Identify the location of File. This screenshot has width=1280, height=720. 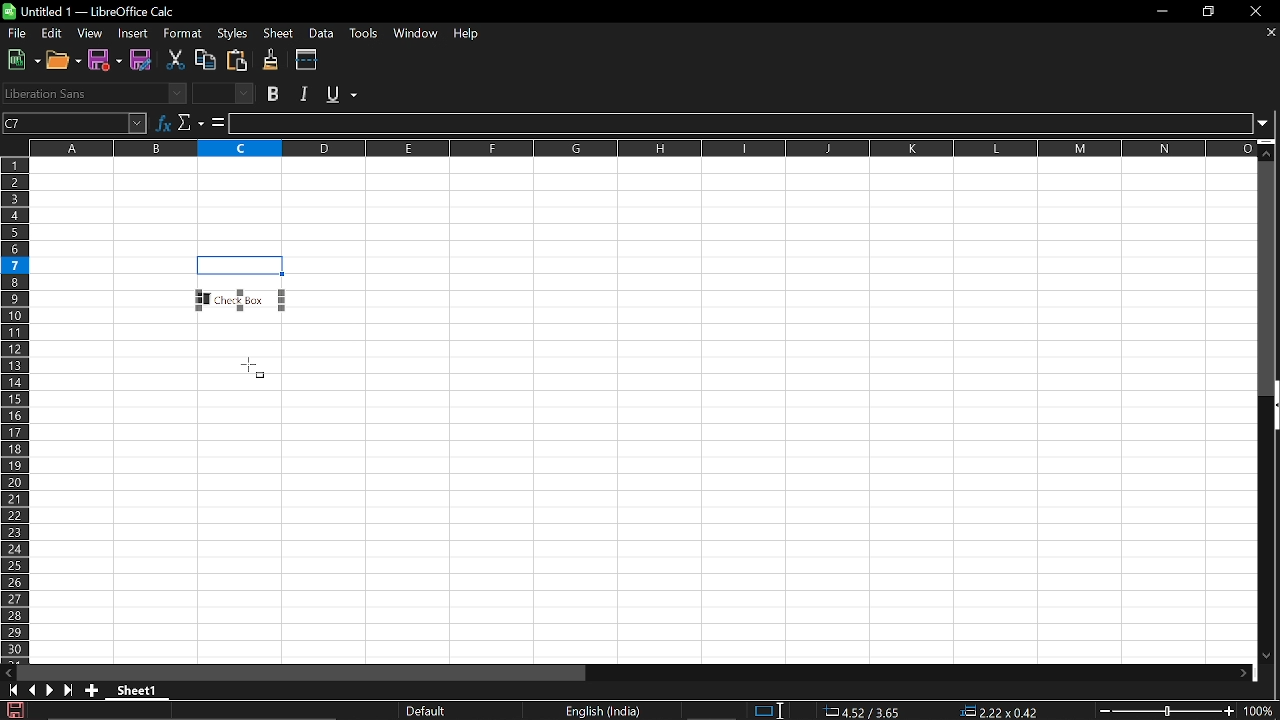
(16, 33).